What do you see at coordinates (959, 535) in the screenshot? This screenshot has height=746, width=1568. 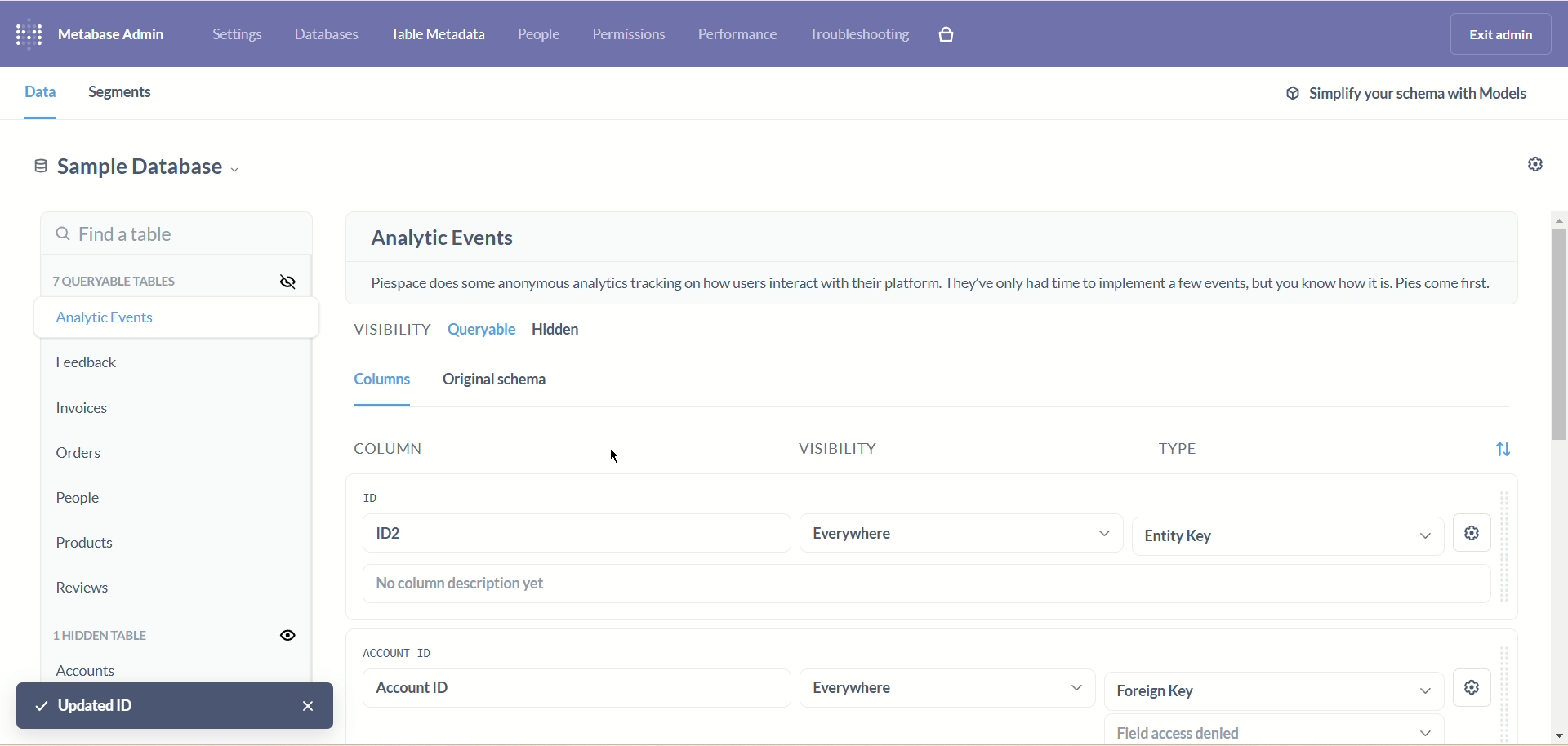 I see `Everywhere` at bounding box center [959, 535].